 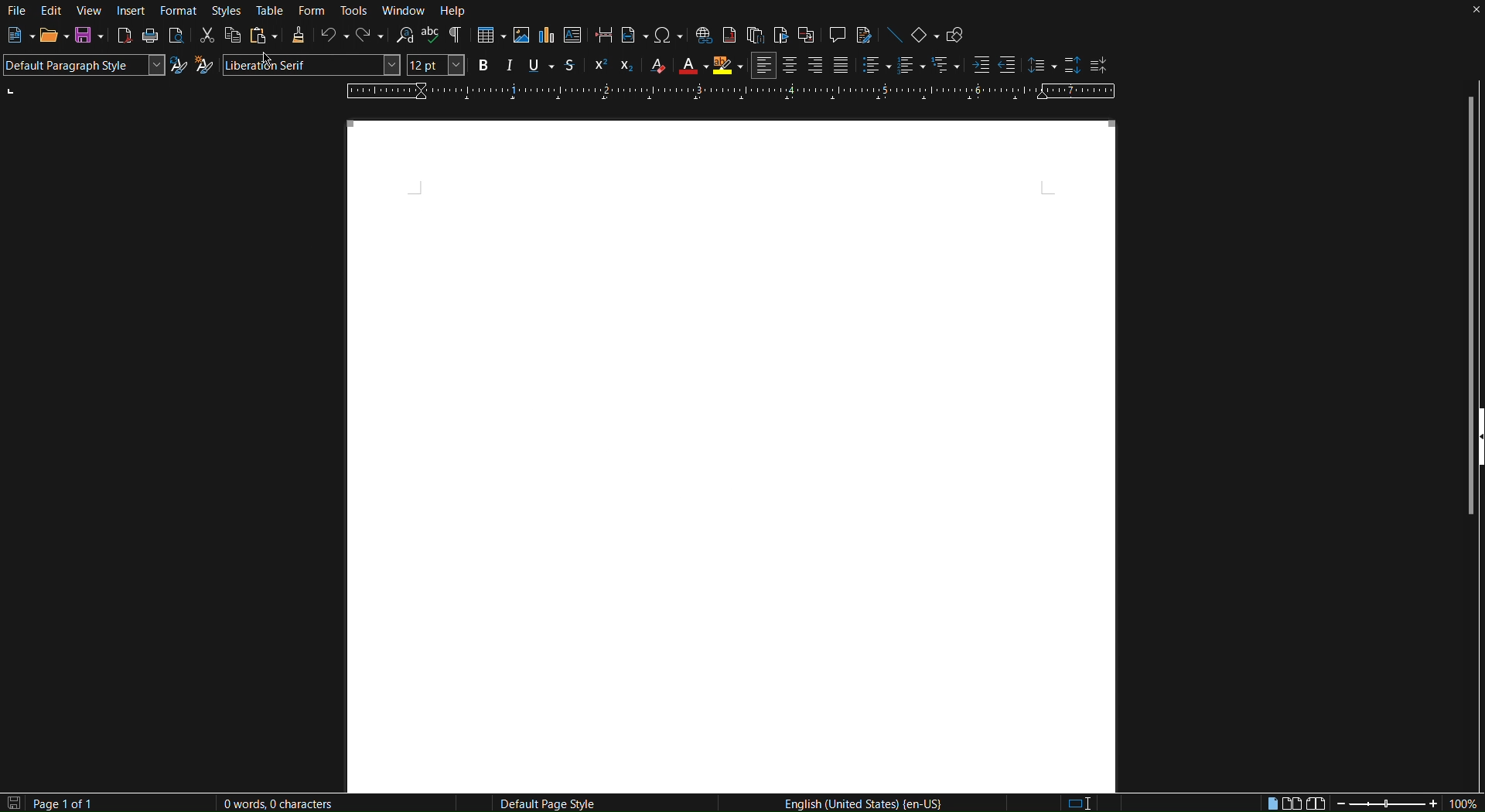 What do you see at coordinates (406, 11) in the screenshot?
I see `Window` at bounding box center [406, 11].